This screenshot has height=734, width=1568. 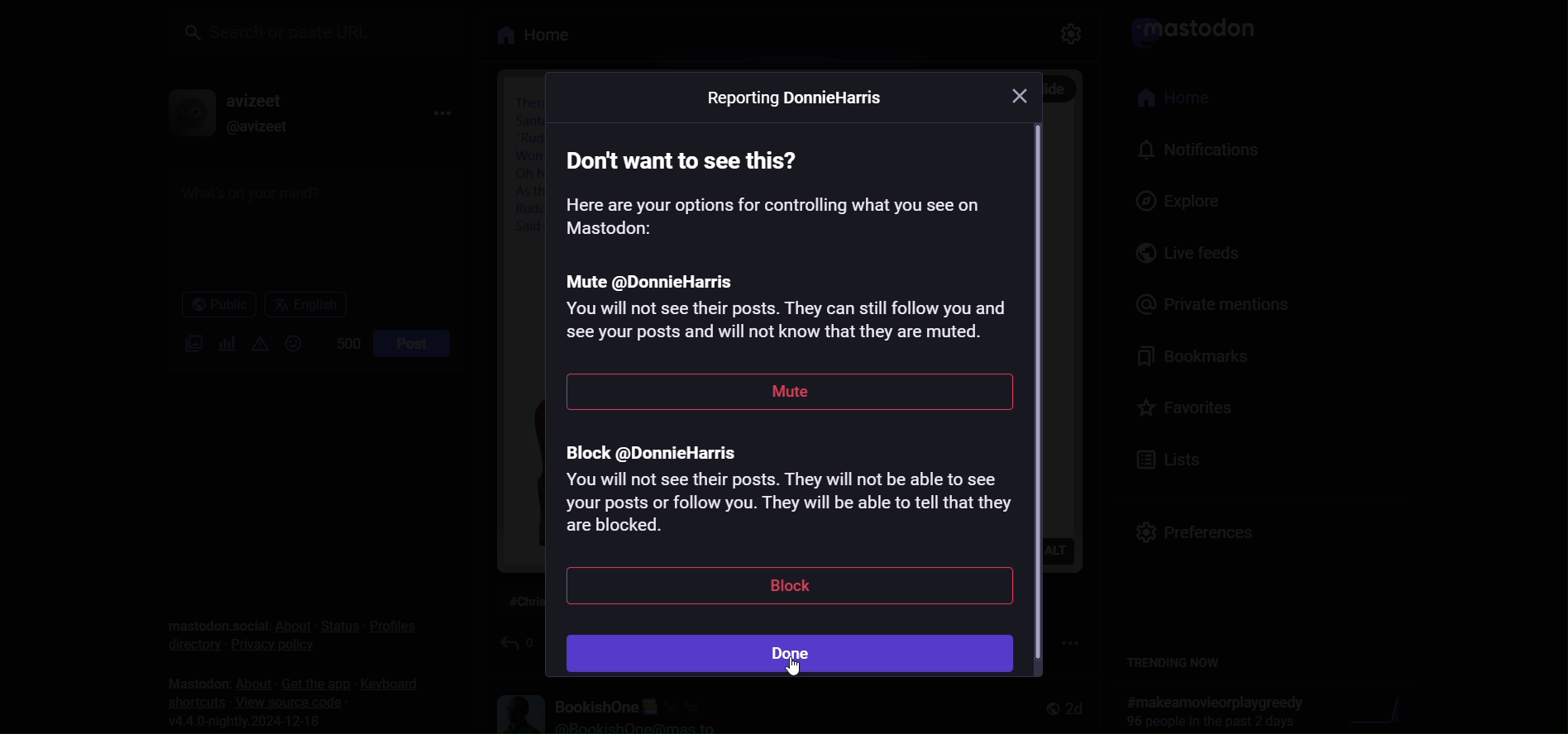 I want to click on avizeet, so click(x=256, y=99).